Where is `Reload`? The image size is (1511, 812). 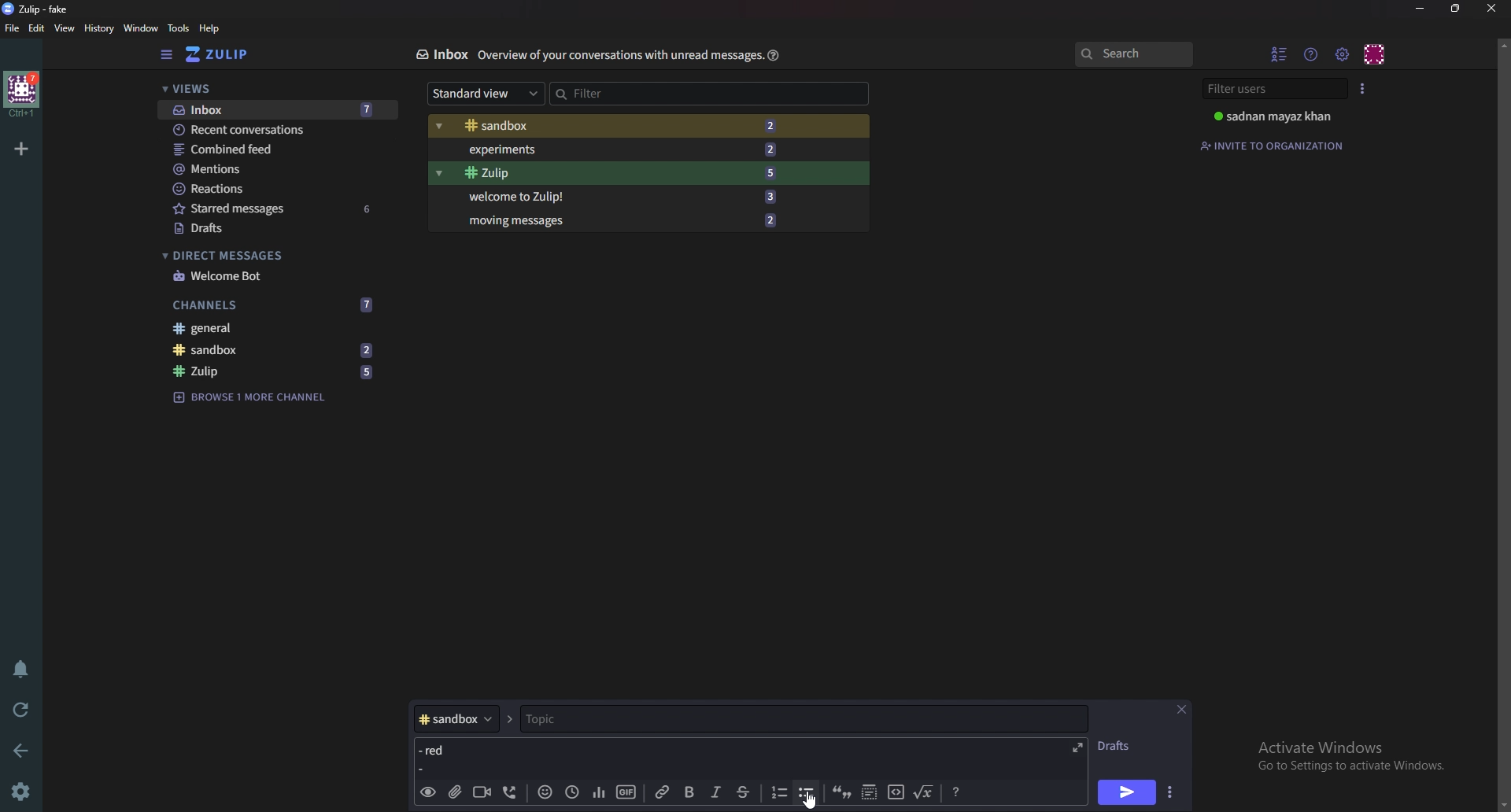 Reload is located at coordinates (21, 710).